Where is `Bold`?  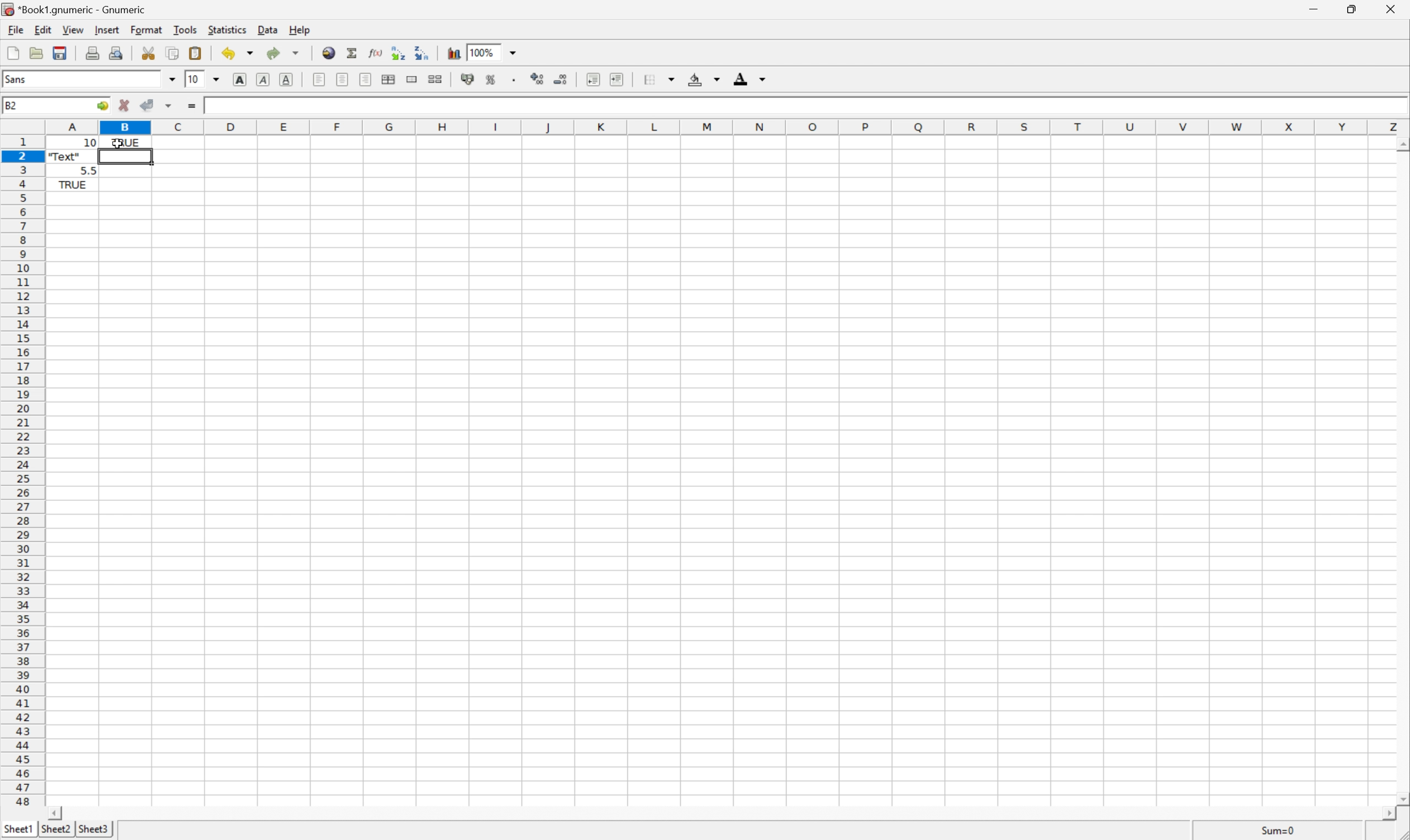
Bold is located at coordinates (241, 79).